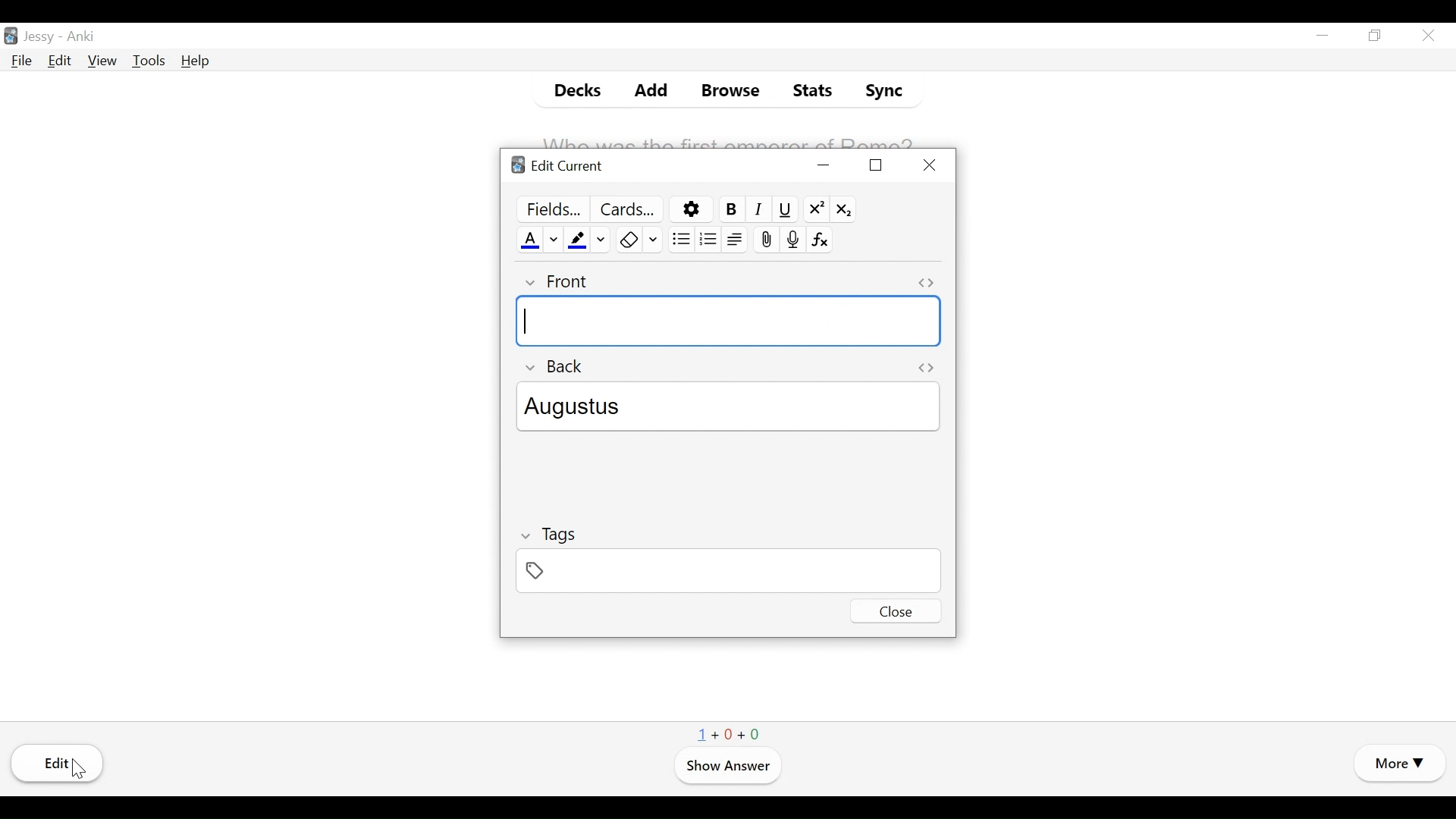 This screenshot has height=819, width=1456. I want to click on Browse, so click(726, 90).